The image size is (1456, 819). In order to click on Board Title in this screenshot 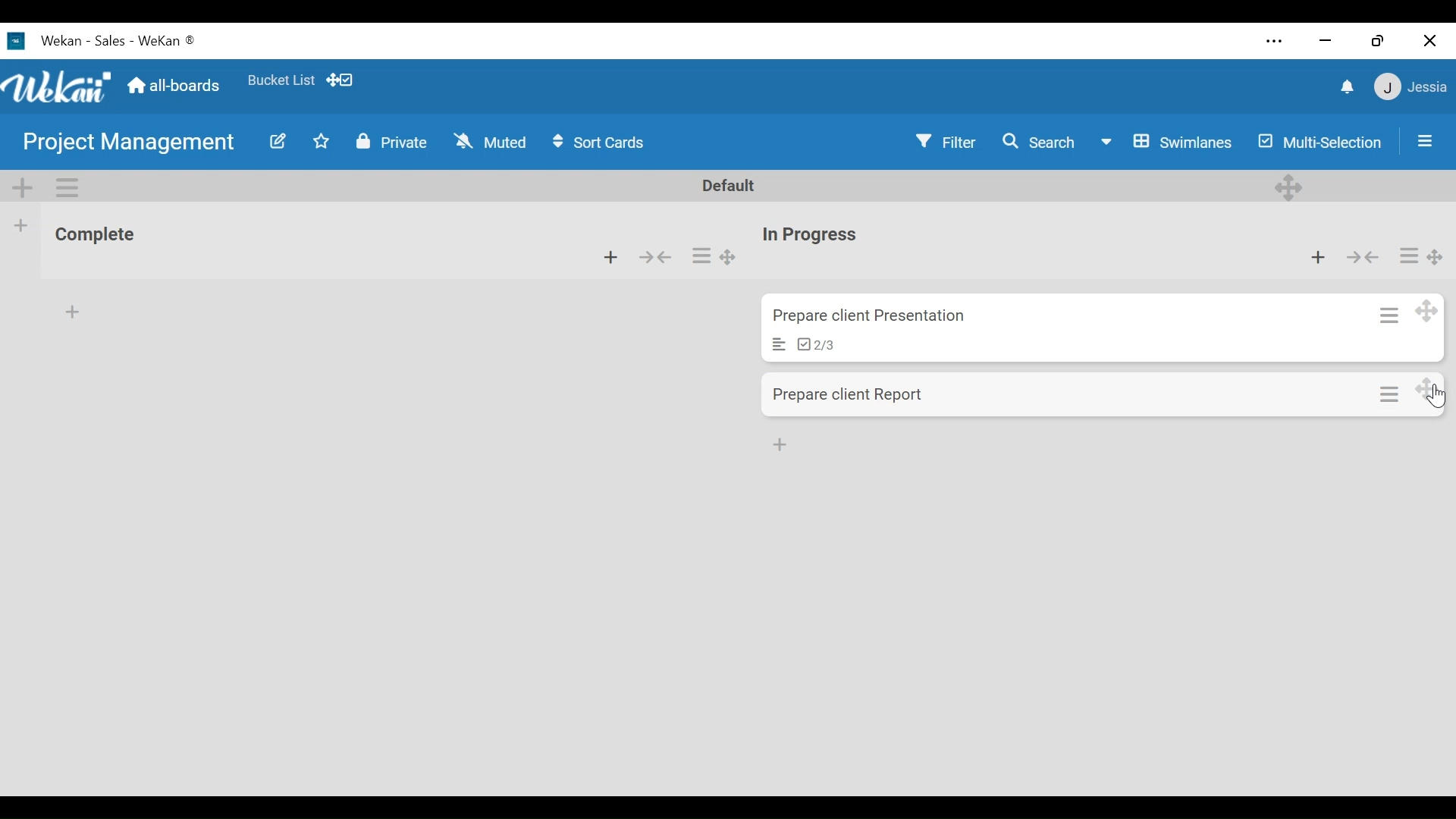, I will do `click(128, 145)`.